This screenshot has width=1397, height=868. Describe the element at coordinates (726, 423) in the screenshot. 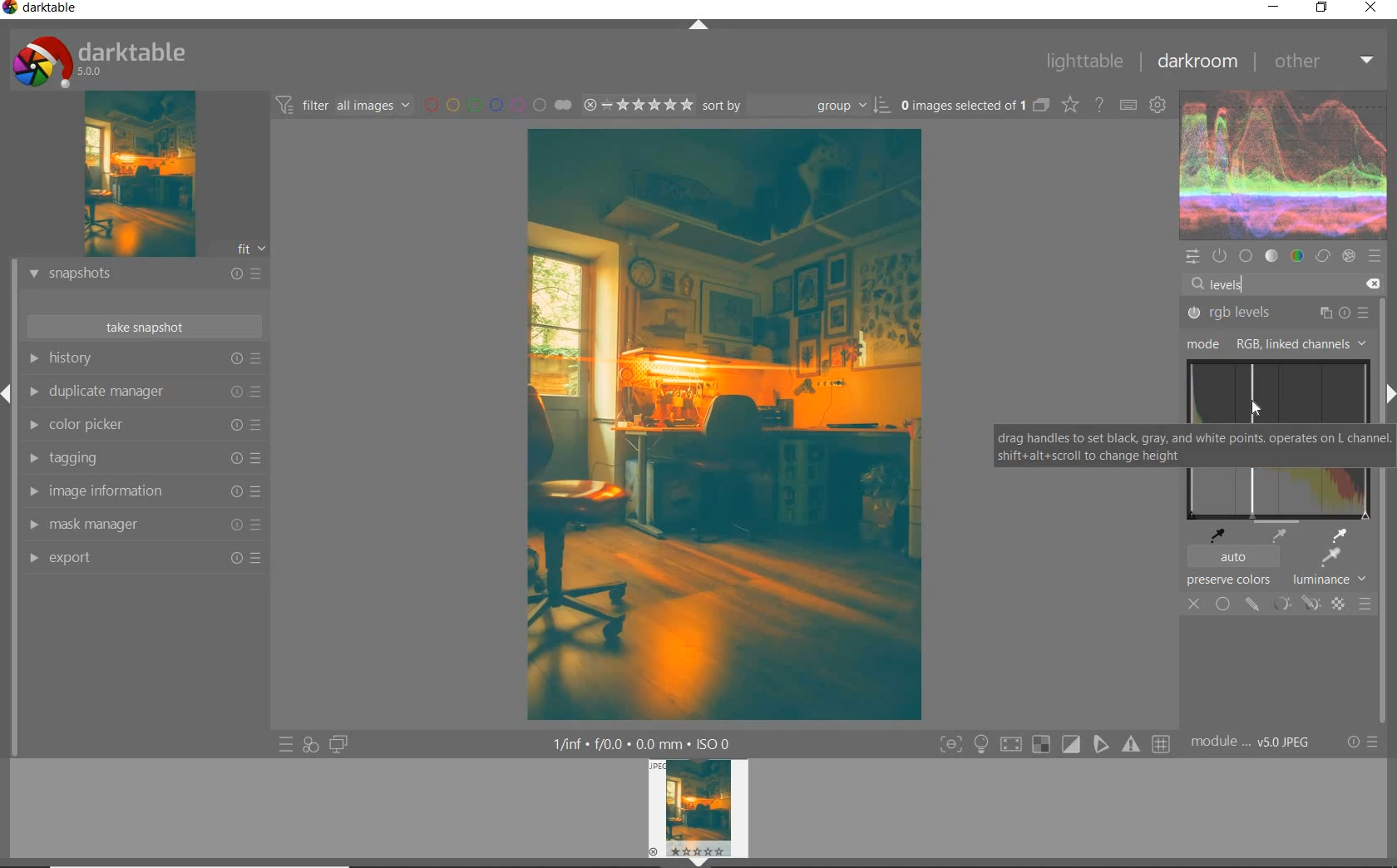

I see ` gamma levels for a brighter image added` at that location.